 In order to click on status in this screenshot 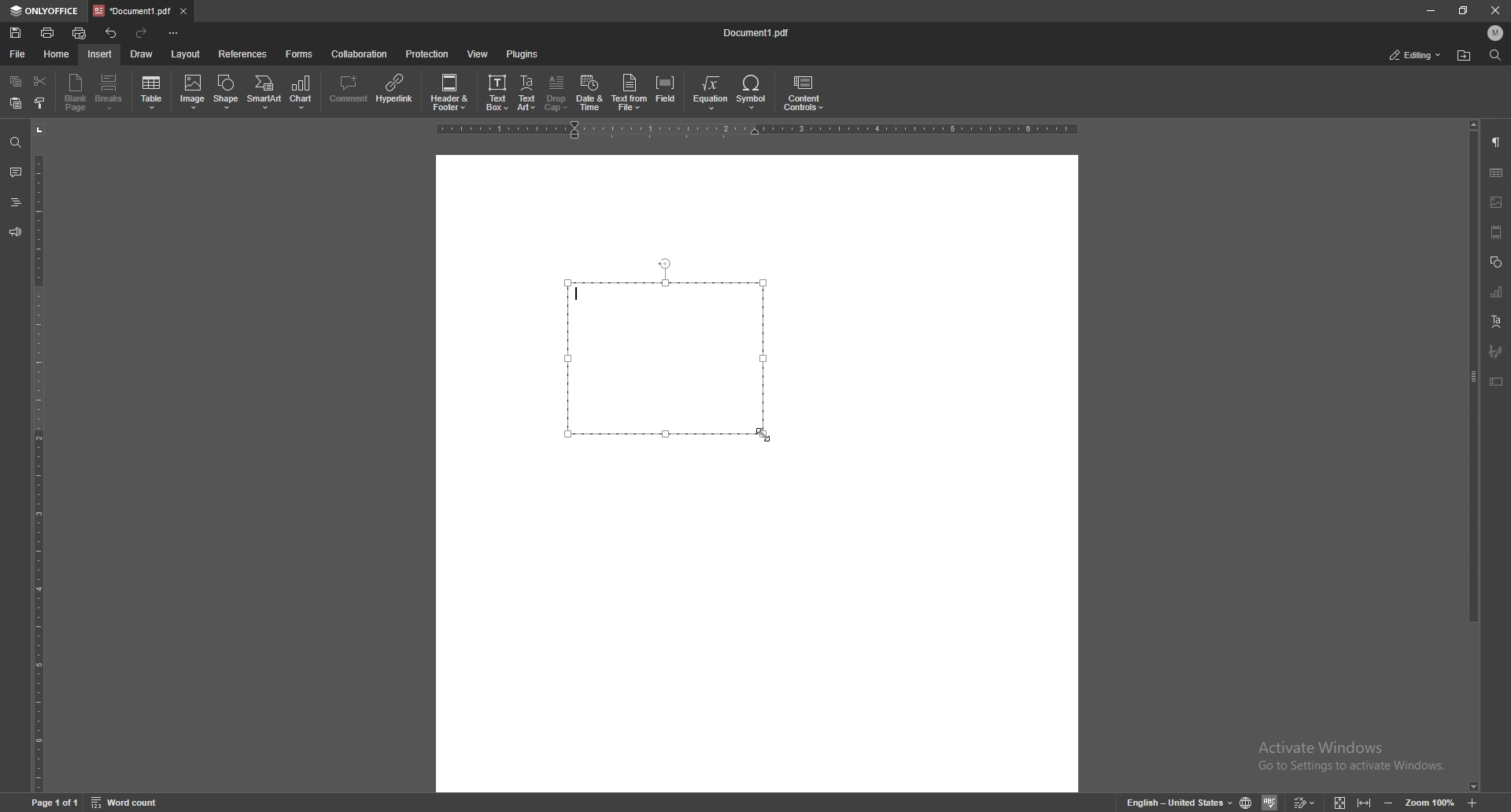, I will do `click(1416, 55)`.